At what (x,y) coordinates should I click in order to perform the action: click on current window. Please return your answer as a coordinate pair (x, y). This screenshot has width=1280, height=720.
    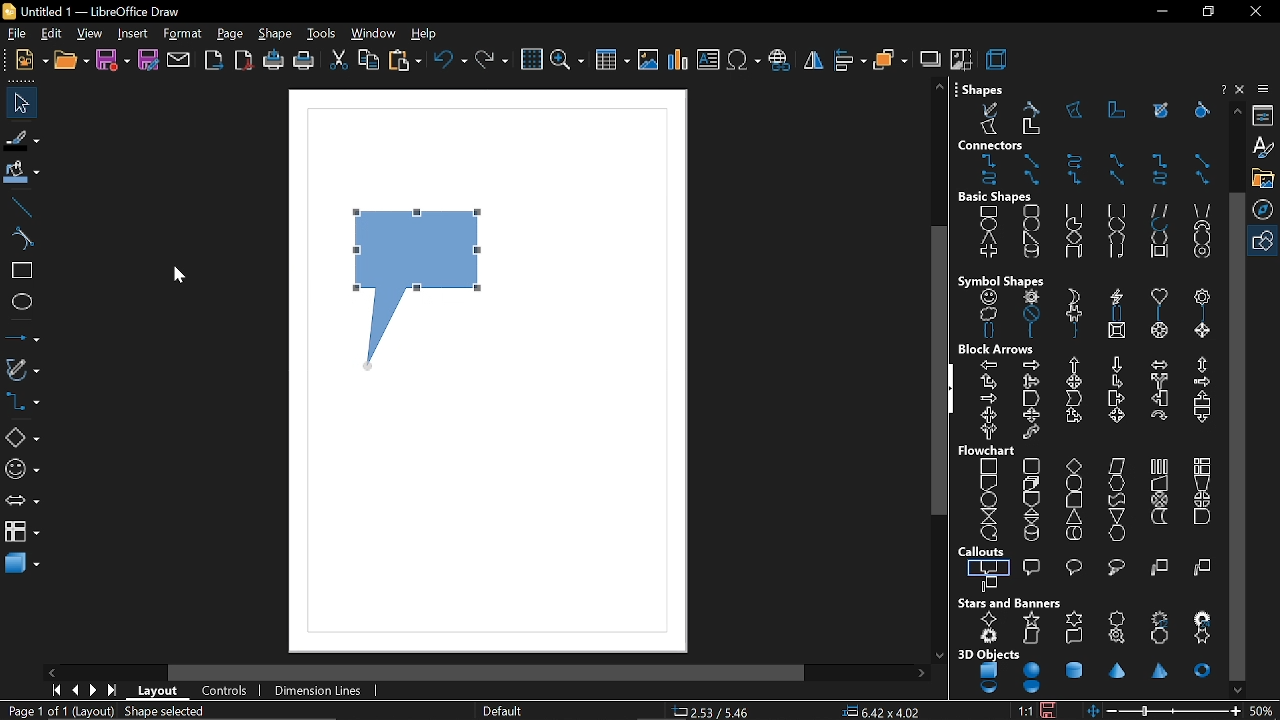
    Looking at the image, I should click on (102, 10).